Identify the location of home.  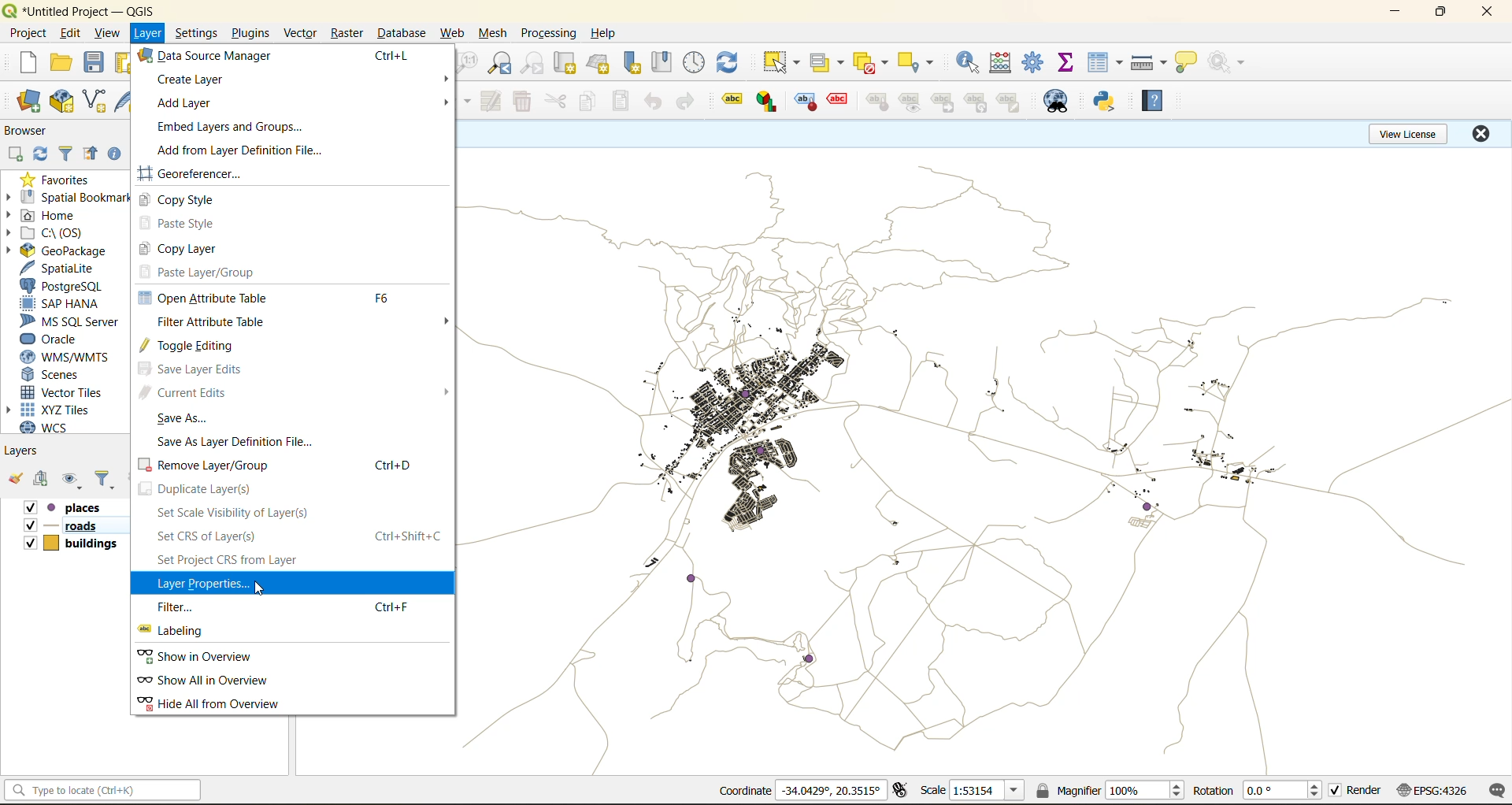
(50, 215).